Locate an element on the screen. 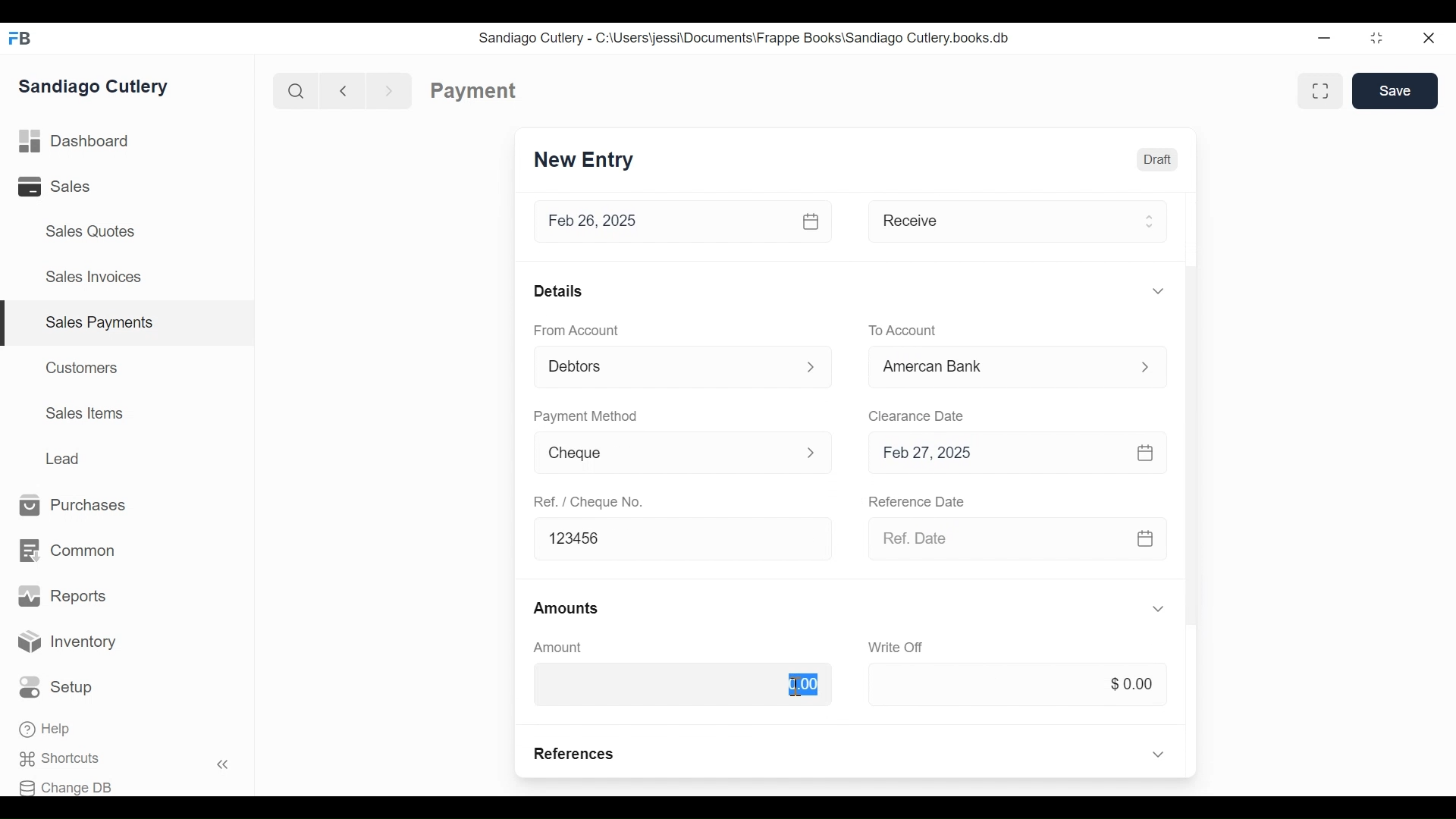 This screenshot has height=819, width=1456. To Account is located at coordinates (903, 329).